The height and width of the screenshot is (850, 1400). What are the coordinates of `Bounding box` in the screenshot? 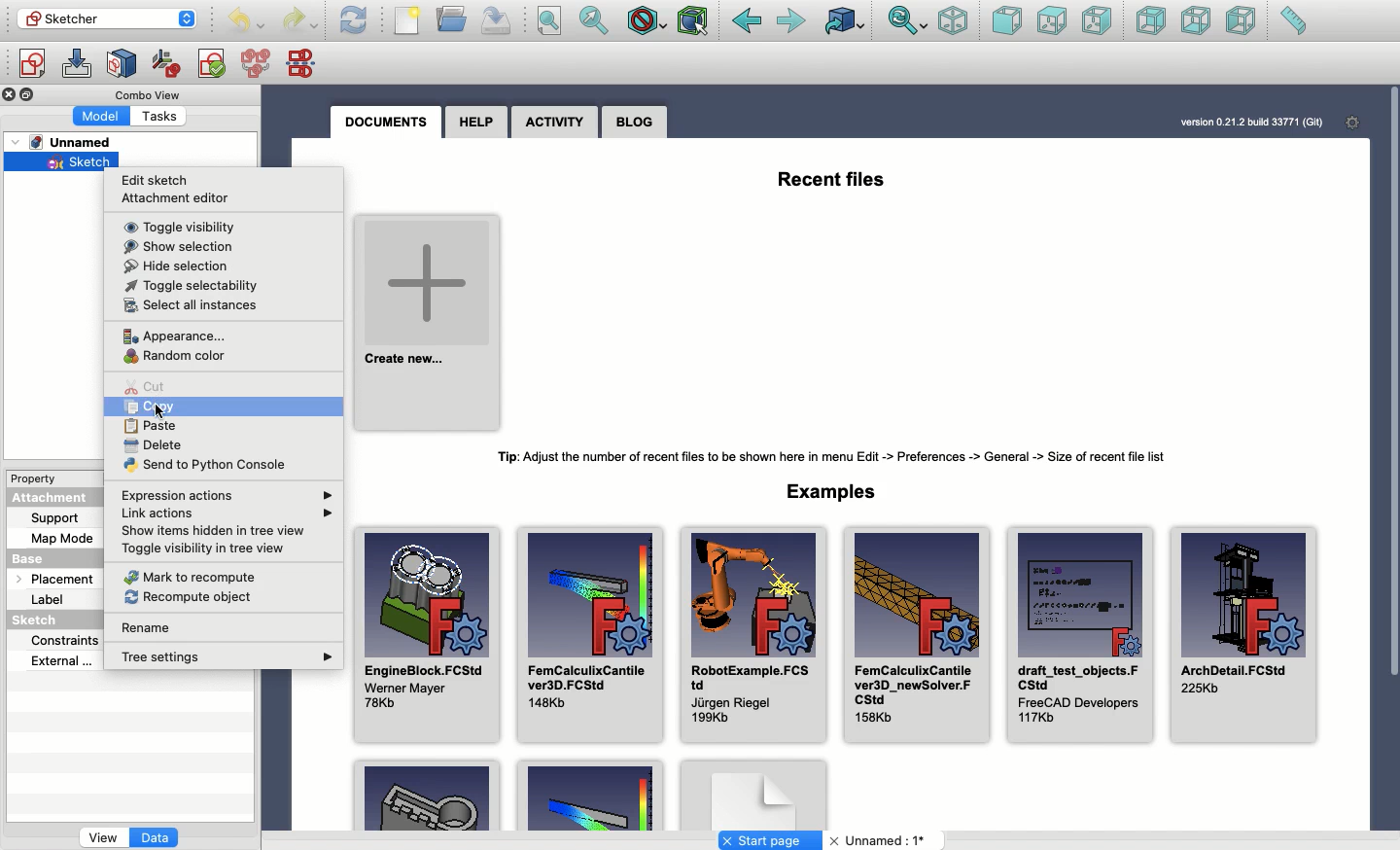 It's located at (694, 22).